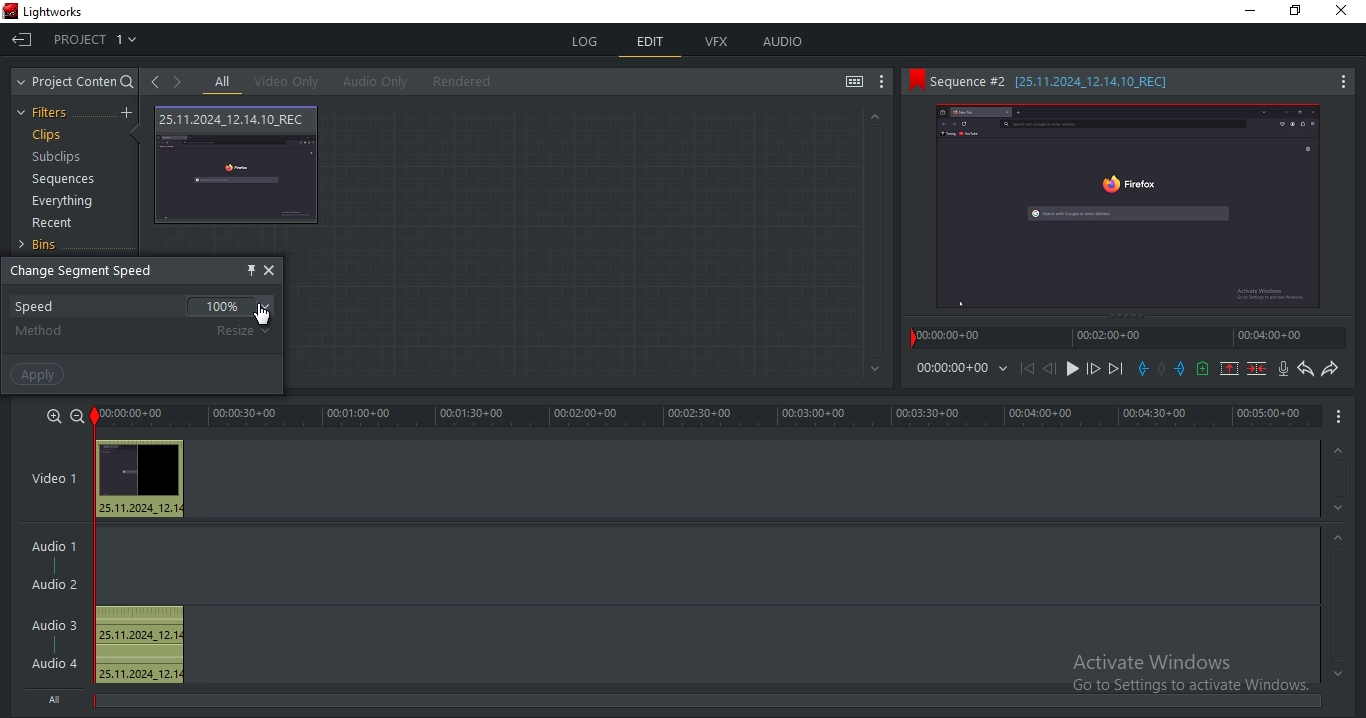 The height and width of the screenshot is (718, 1366). Describe the element at coordinates (52, 416) in the screenshot. I see `zoom in` at that location.